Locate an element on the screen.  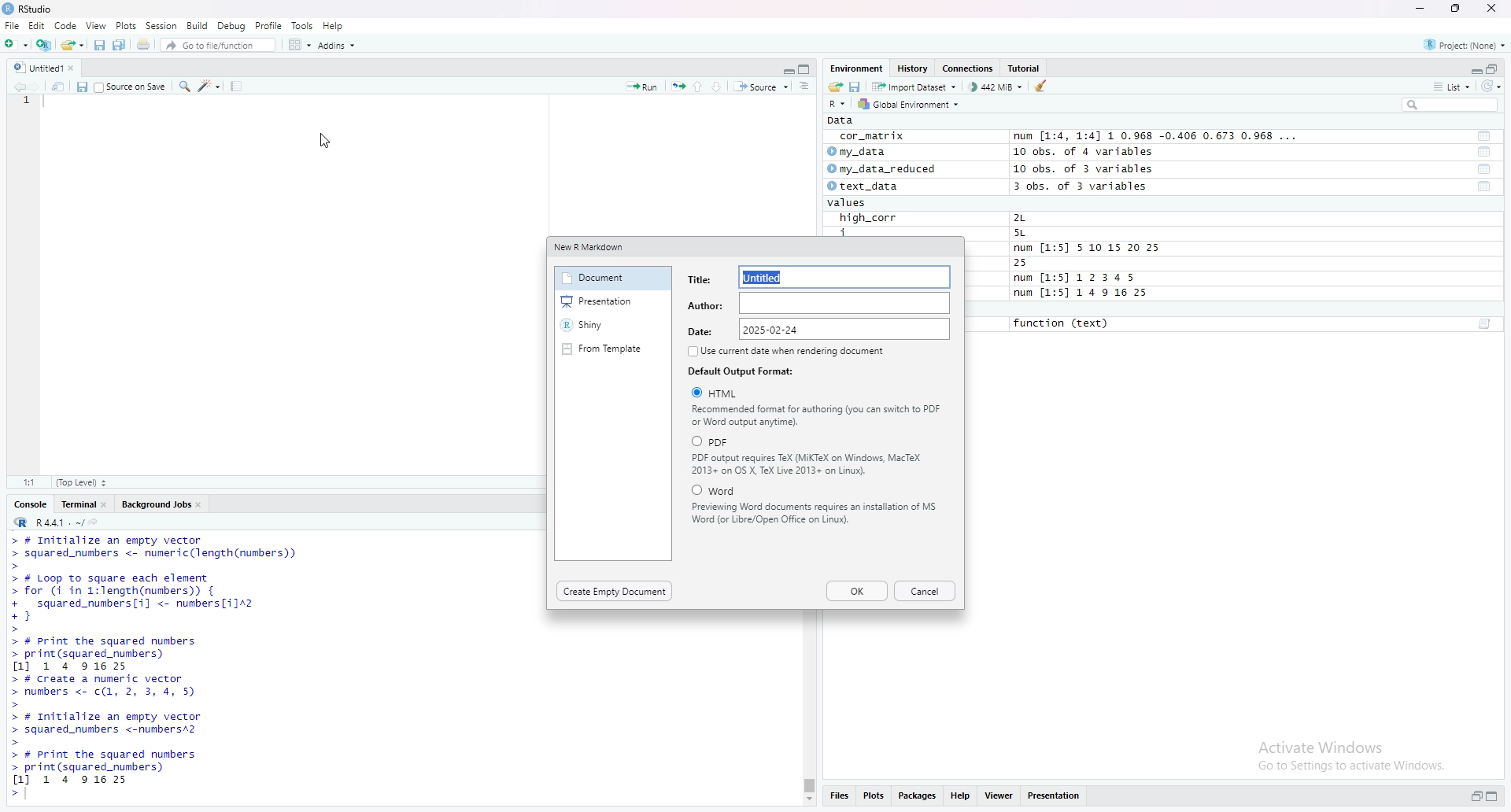
high_corr is located at coordinates (866, 217).